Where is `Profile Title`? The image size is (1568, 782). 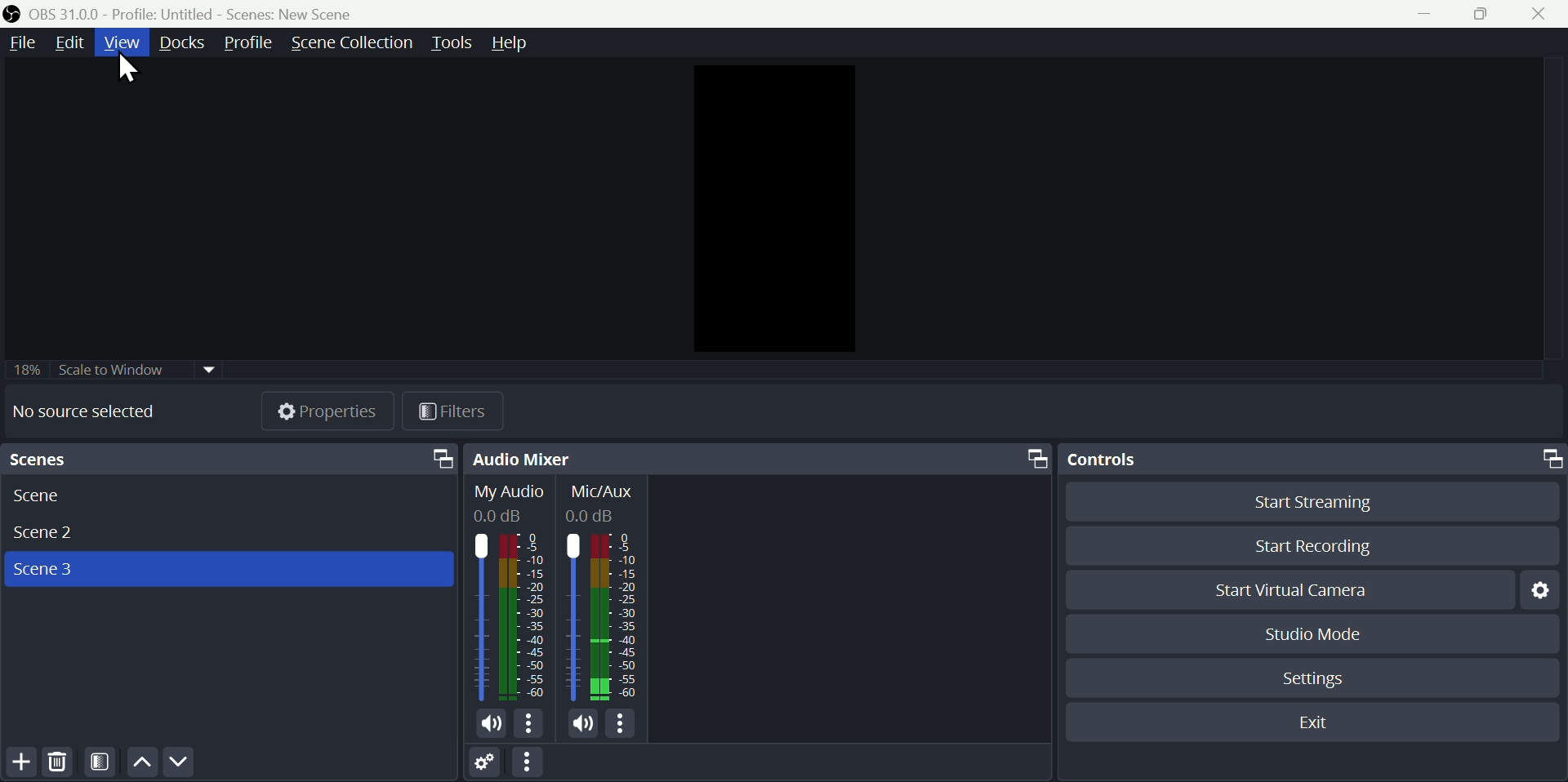
Profile Title is located at coordinates (163, 15).